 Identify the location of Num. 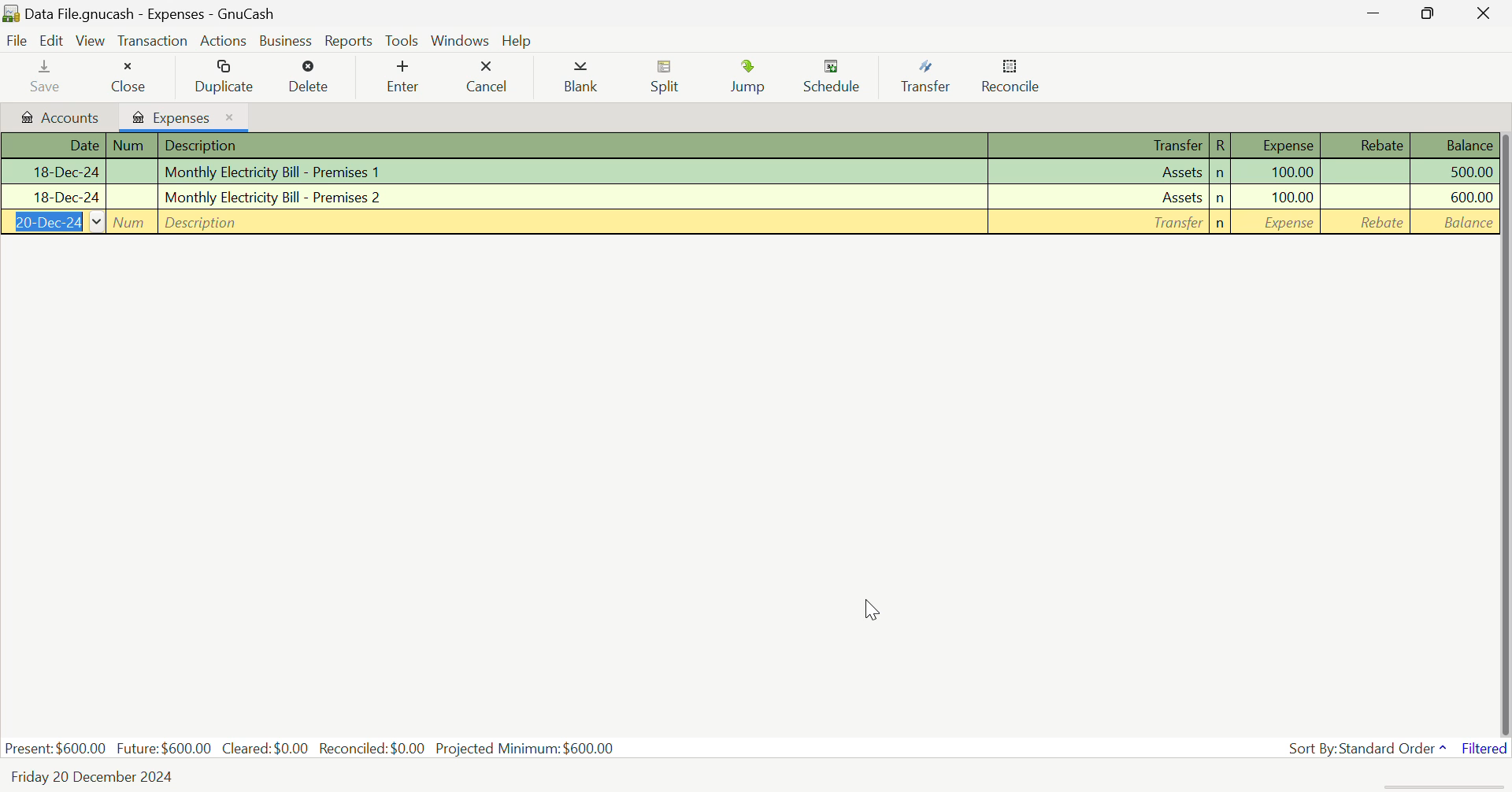
(132, 146).